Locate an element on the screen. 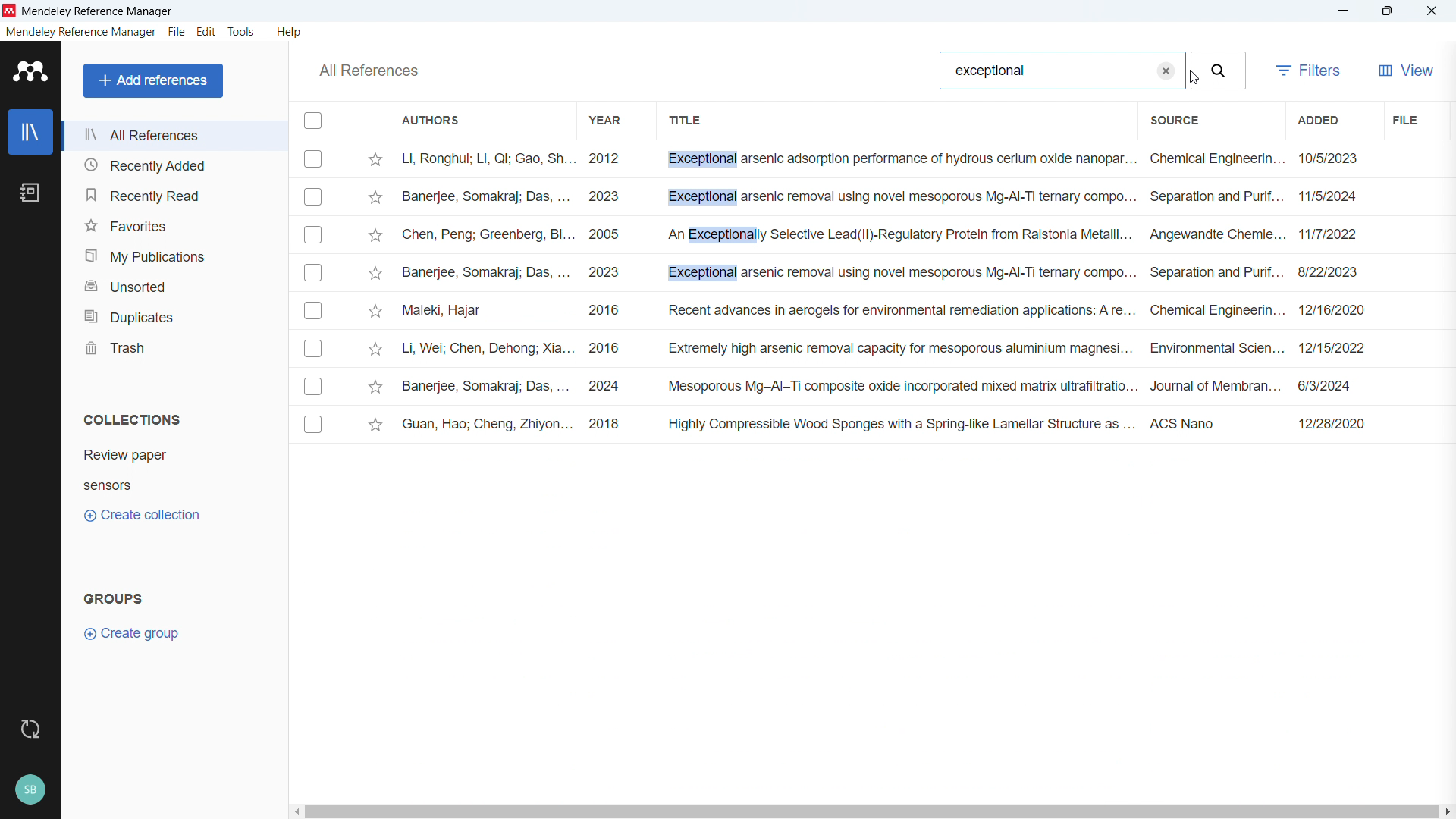  tools is located at coordinates (240, 32).